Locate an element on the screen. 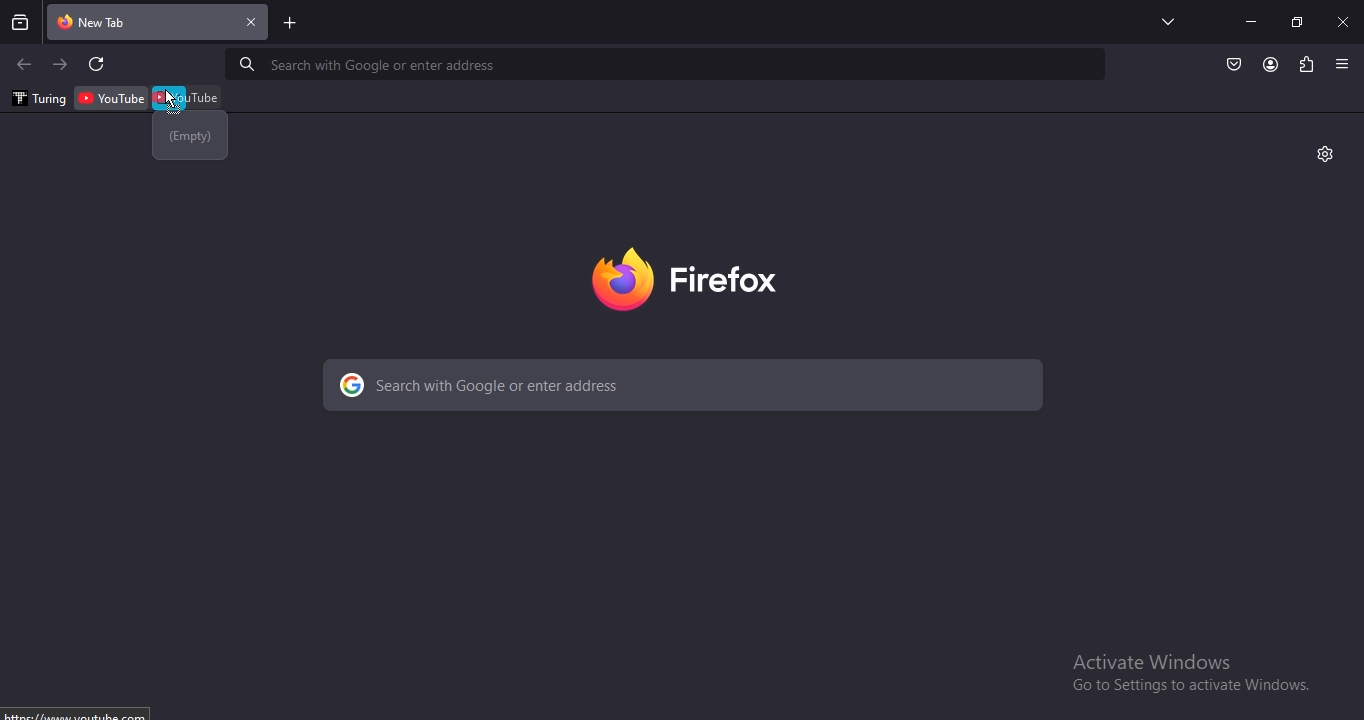  restore windows is located at coordinates (1299, 22).